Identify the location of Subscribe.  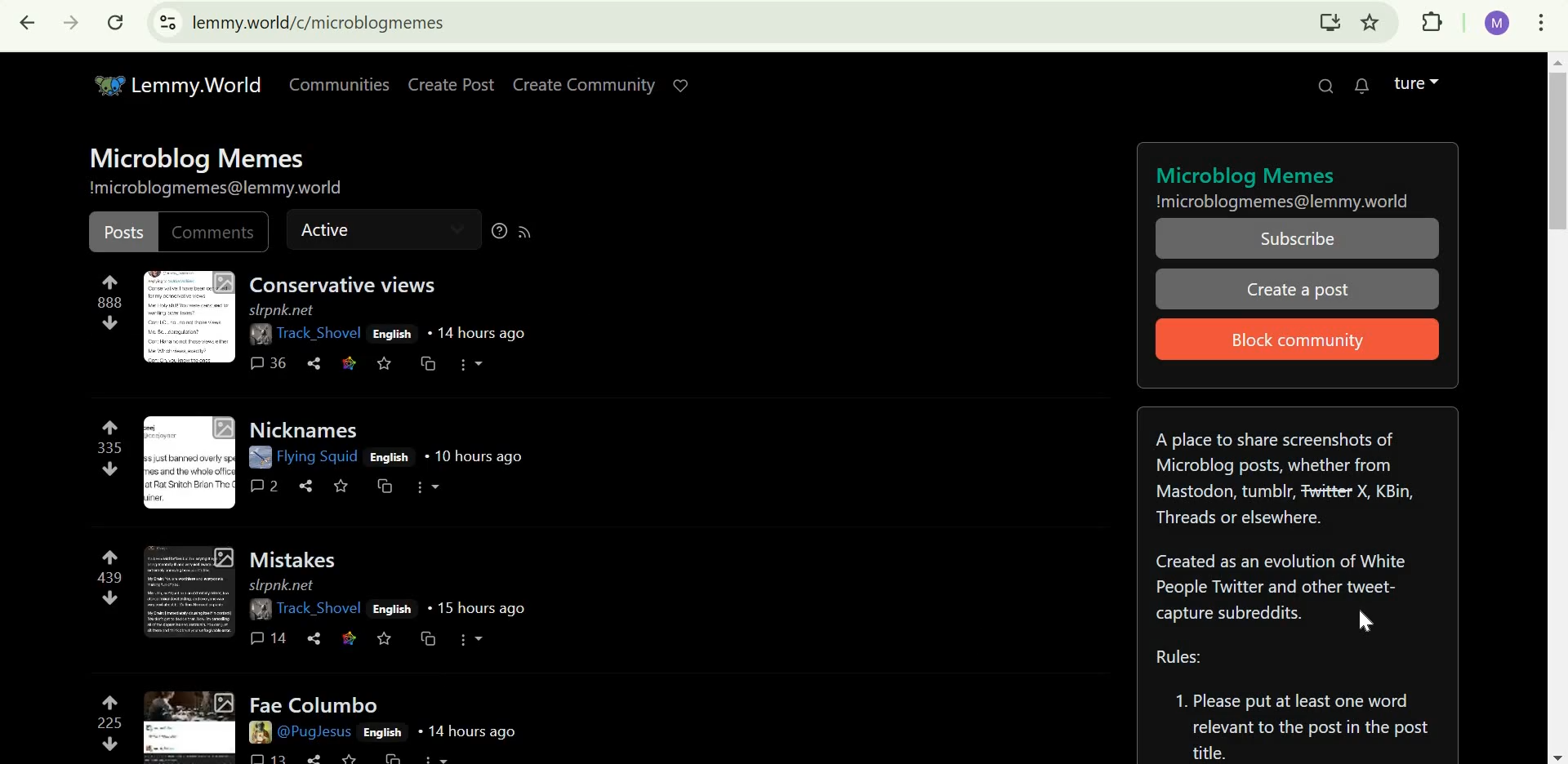
(1303, 238).